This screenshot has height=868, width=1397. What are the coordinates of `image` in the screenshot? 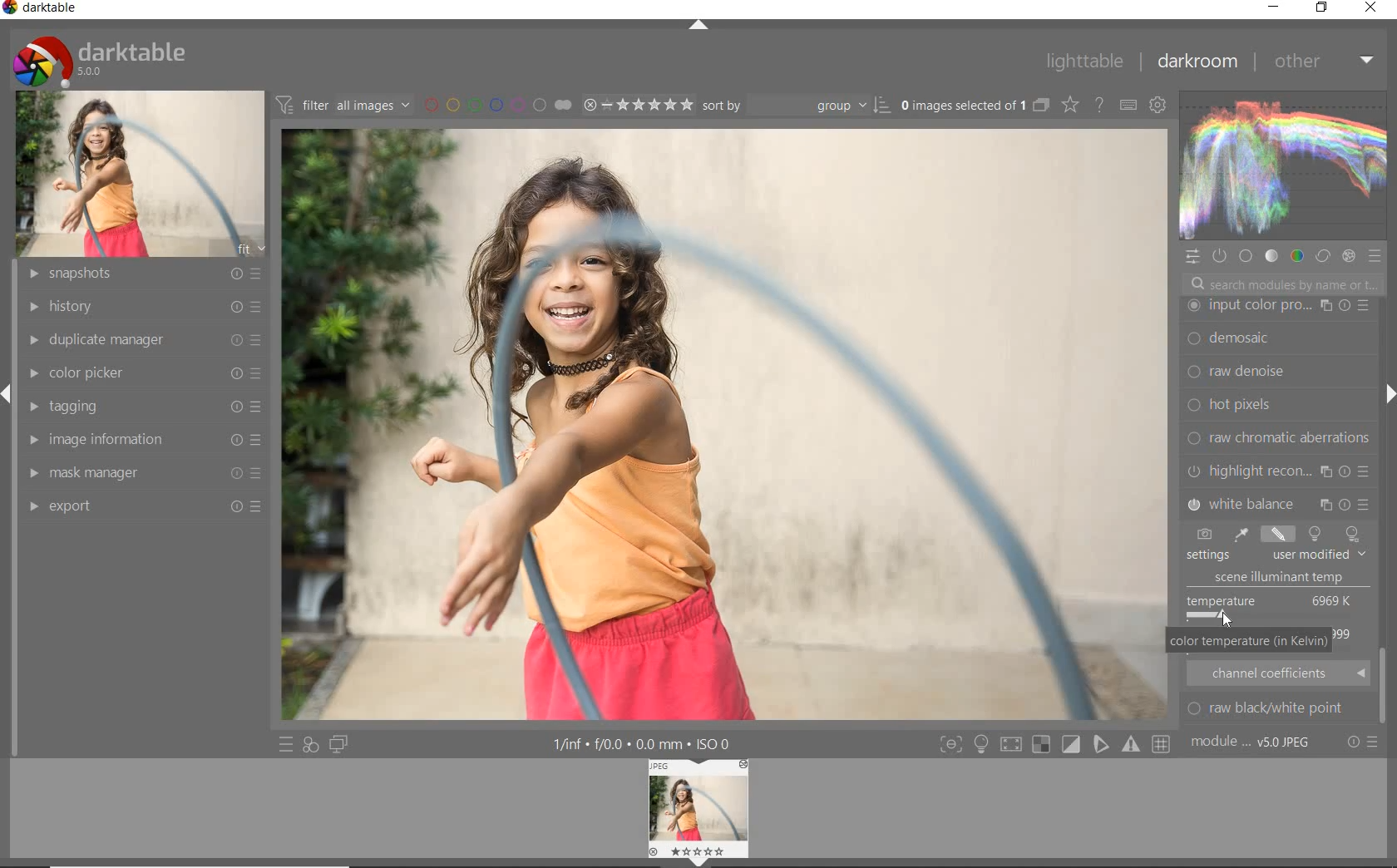 It's located at (142, 172).